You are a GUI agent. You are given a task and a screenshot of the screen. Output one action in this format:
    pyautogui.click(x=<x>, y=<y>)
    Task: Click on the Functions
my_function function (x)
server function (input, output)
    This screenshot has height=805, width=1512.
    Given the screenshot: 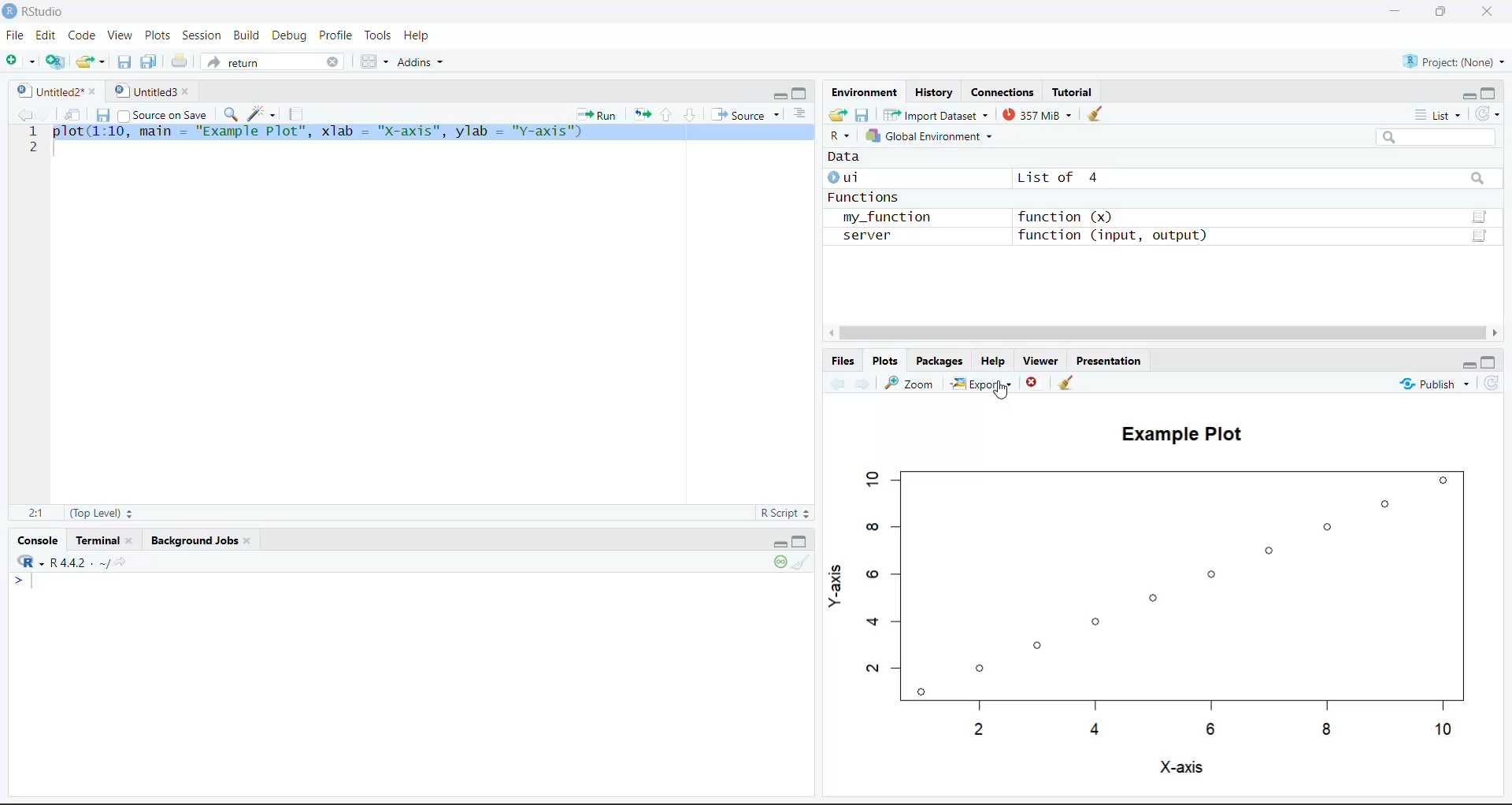 What is the action you would take?
    pyautogui.click(x=1018, y=218)
    